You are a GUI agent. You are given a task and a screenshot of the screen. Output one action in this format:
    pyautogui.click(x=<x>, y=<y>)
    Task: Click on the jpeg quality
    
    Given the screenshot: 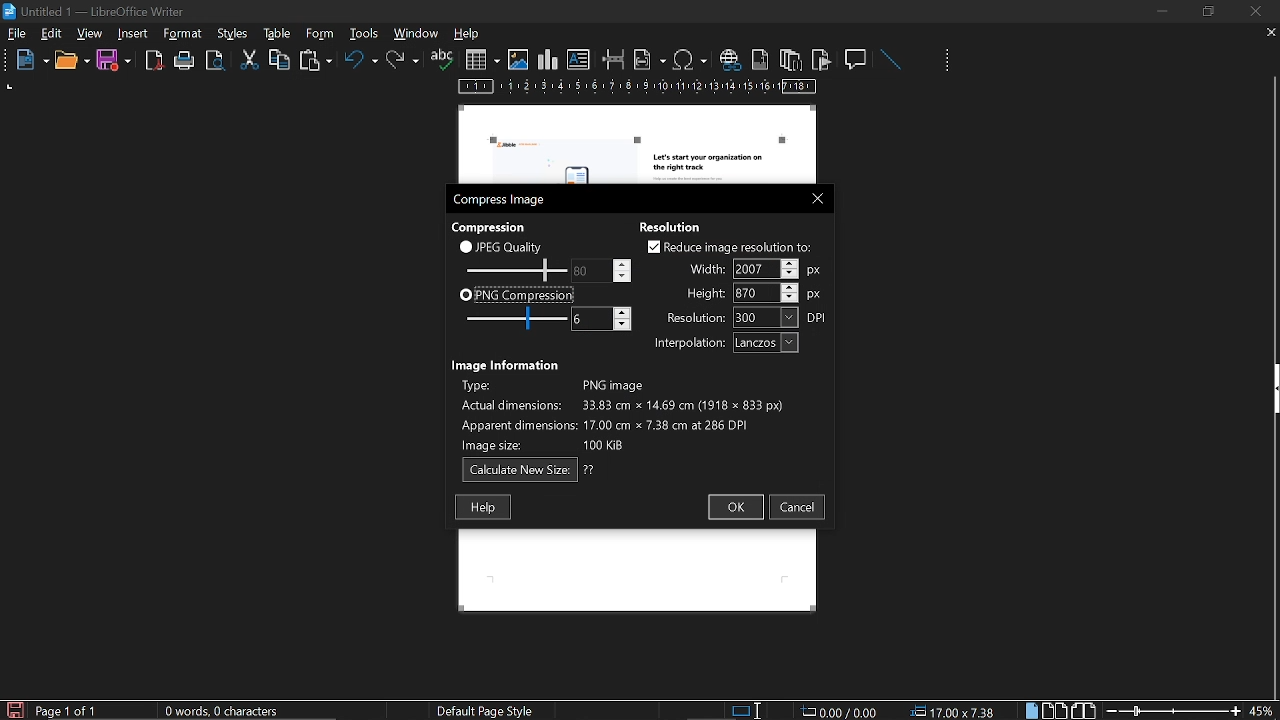 What is the action you would take?
    pyautogui.click(x=502, y=246)
    